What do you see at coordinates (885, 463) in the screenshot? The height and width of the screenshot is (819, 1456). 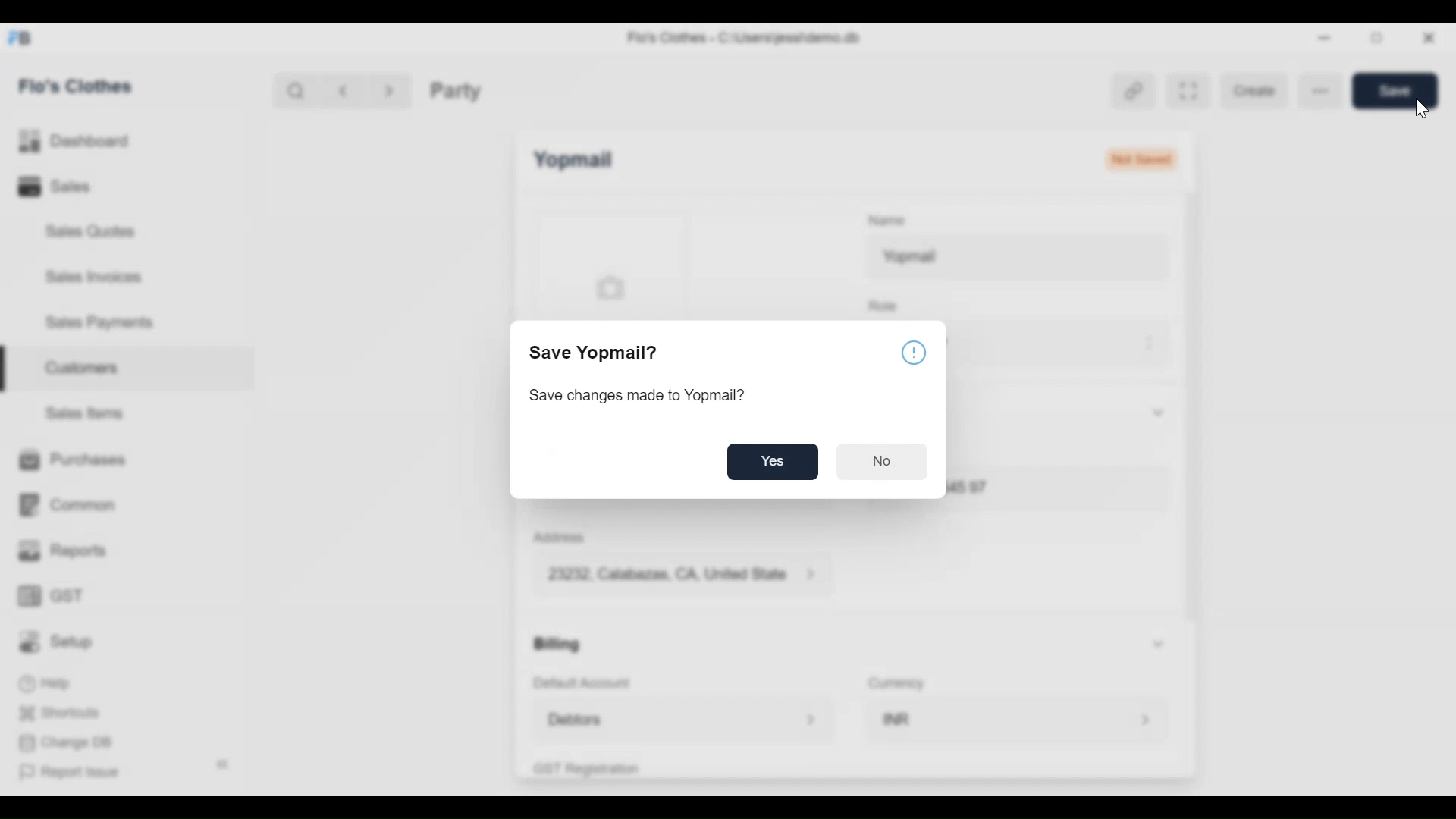 I see `No` at bounding box center [885, 463].